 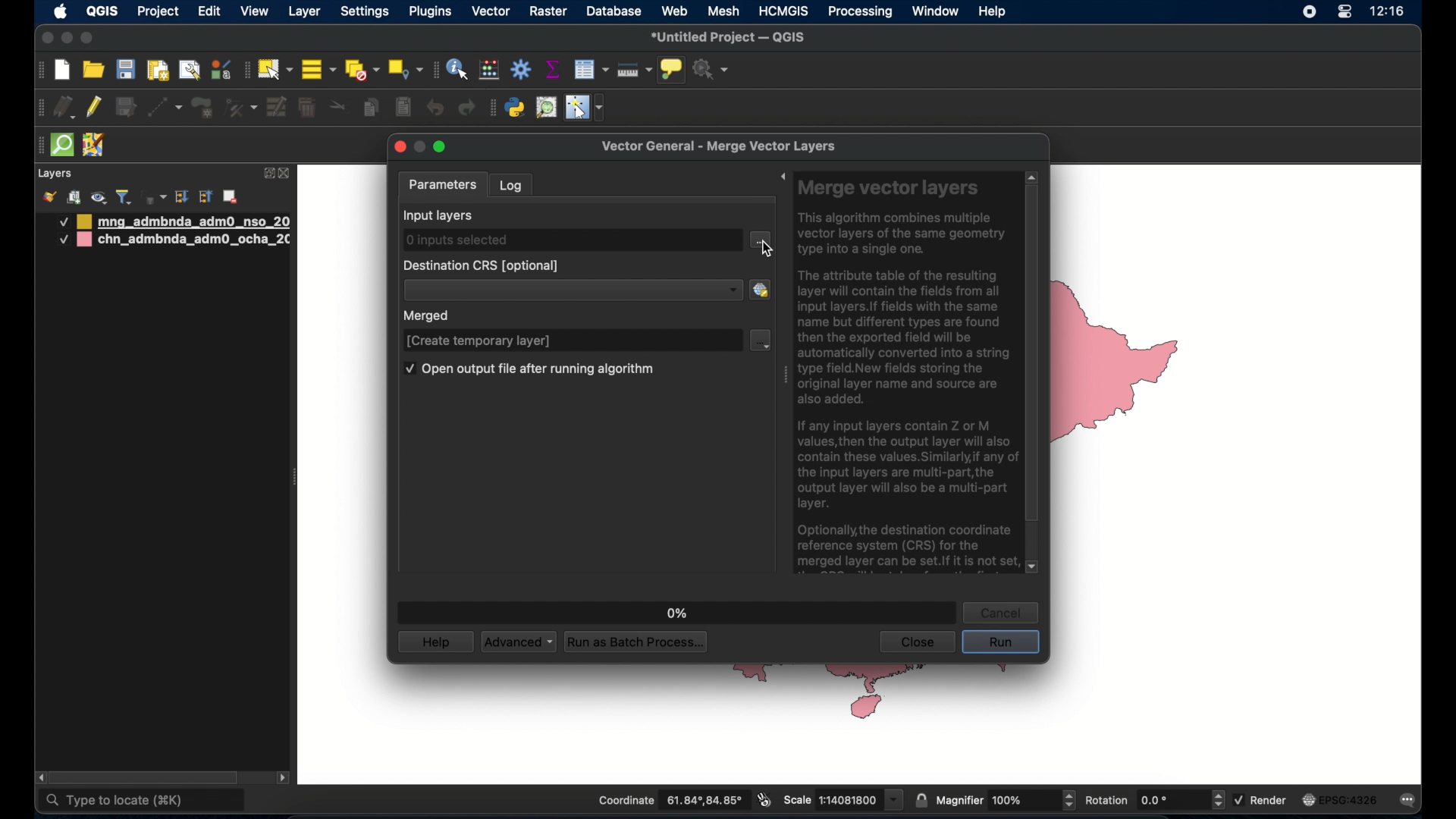 I want to click on selection toolbar, so click(x=245, y=70).